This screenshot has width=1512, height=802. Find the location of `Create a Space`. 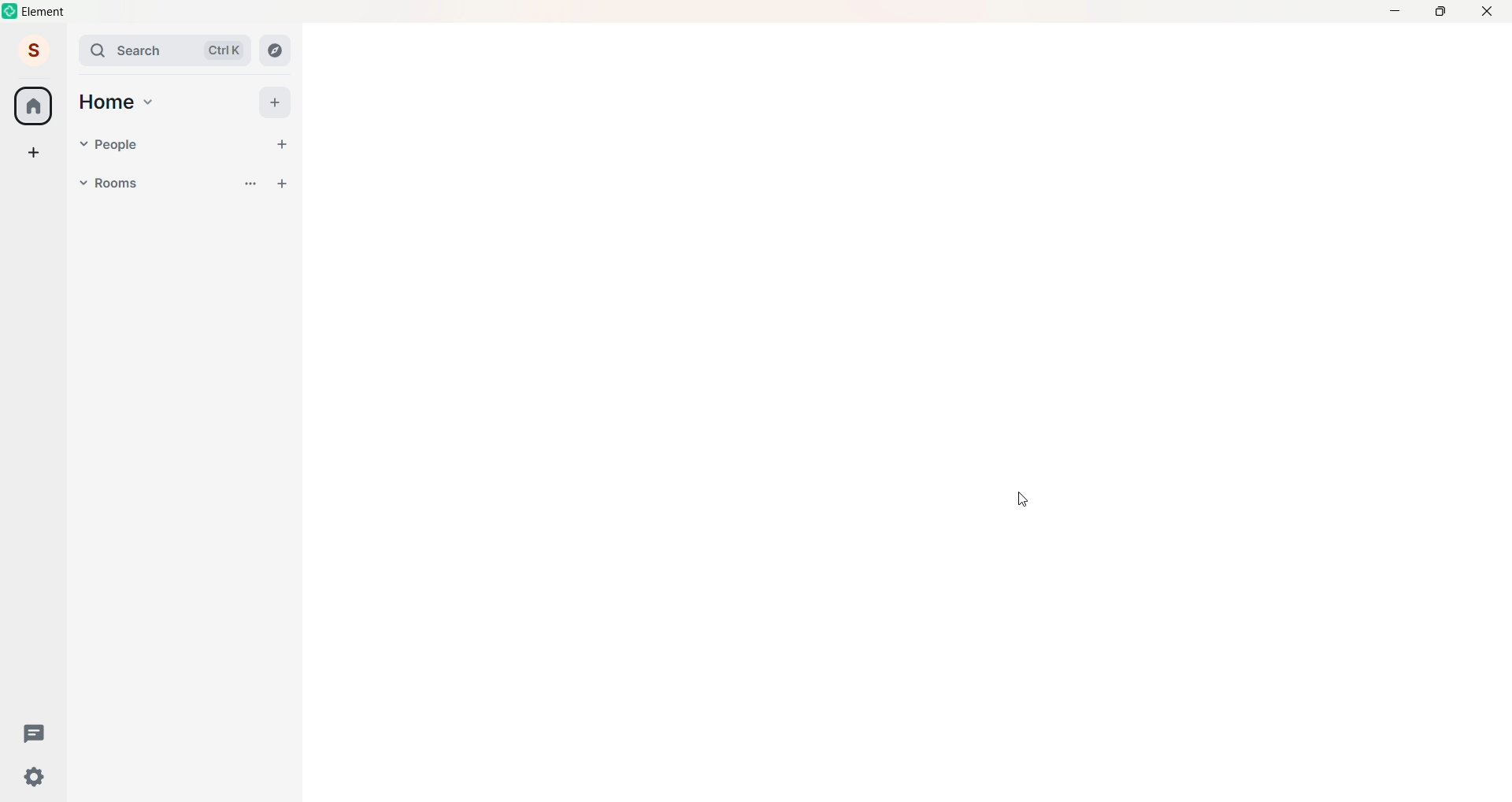

Create a Space is located at coordinates (32, 150).